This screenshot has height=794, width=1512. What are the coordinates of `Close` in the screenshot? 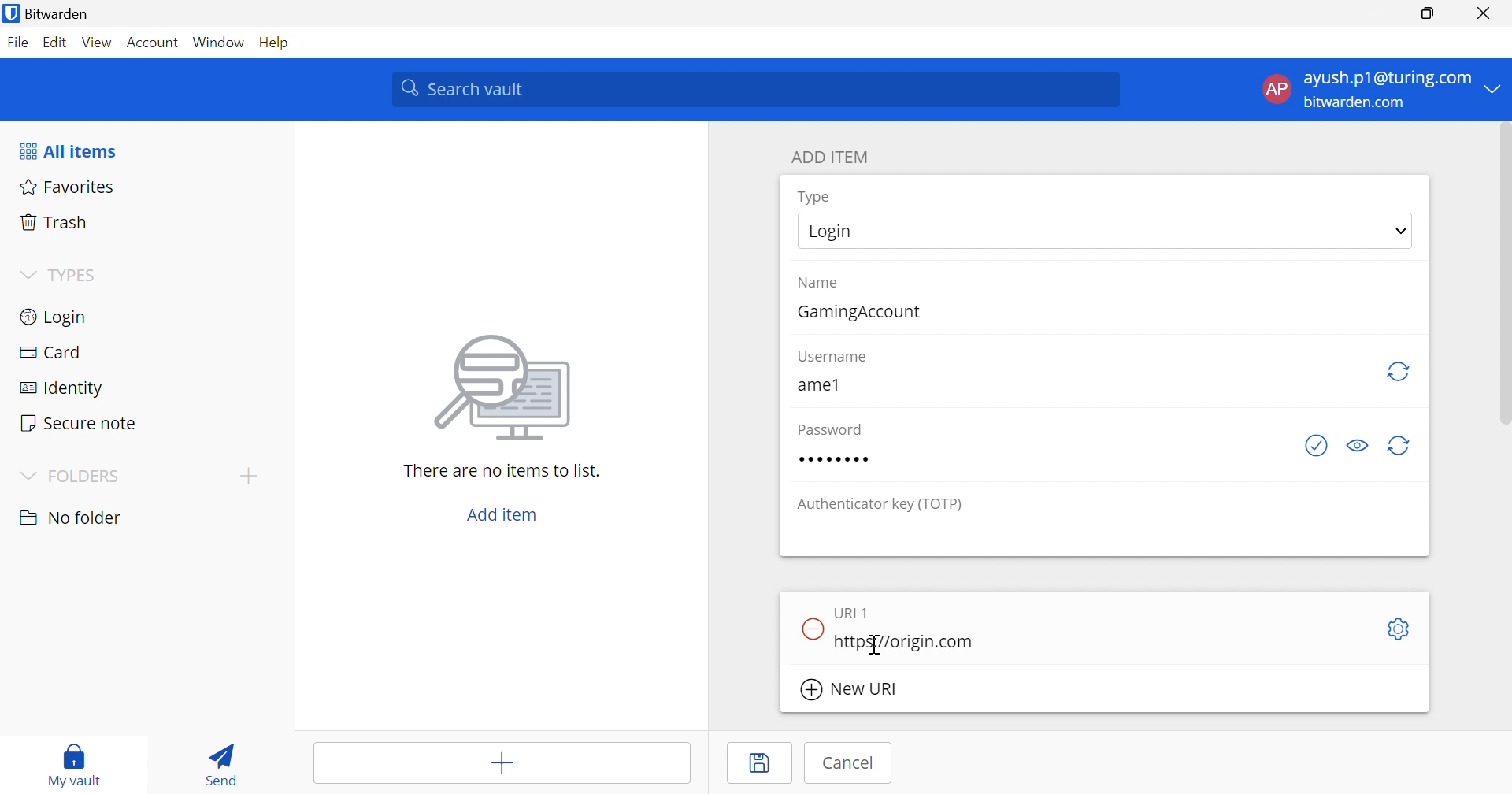 It's located at (1486, 15).